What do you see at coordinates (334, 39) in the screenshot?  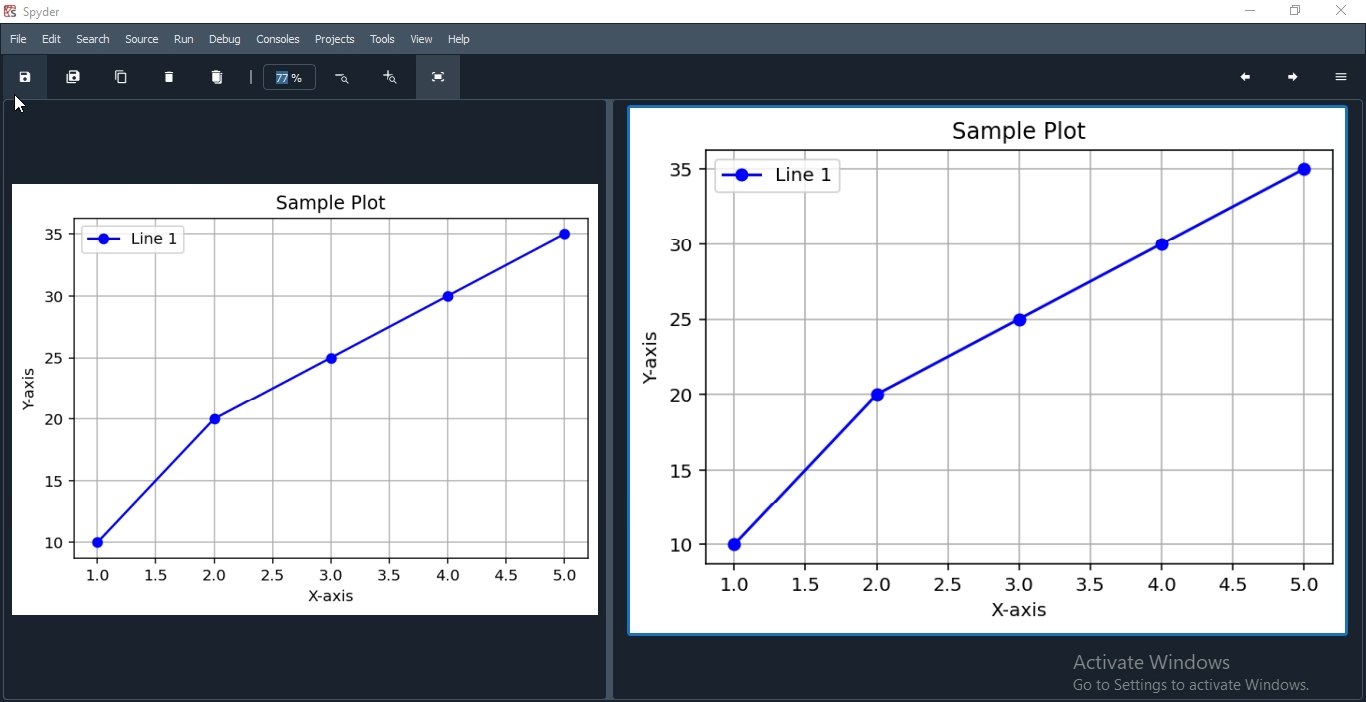 I see `Projects` at bounding box center [334, 39].